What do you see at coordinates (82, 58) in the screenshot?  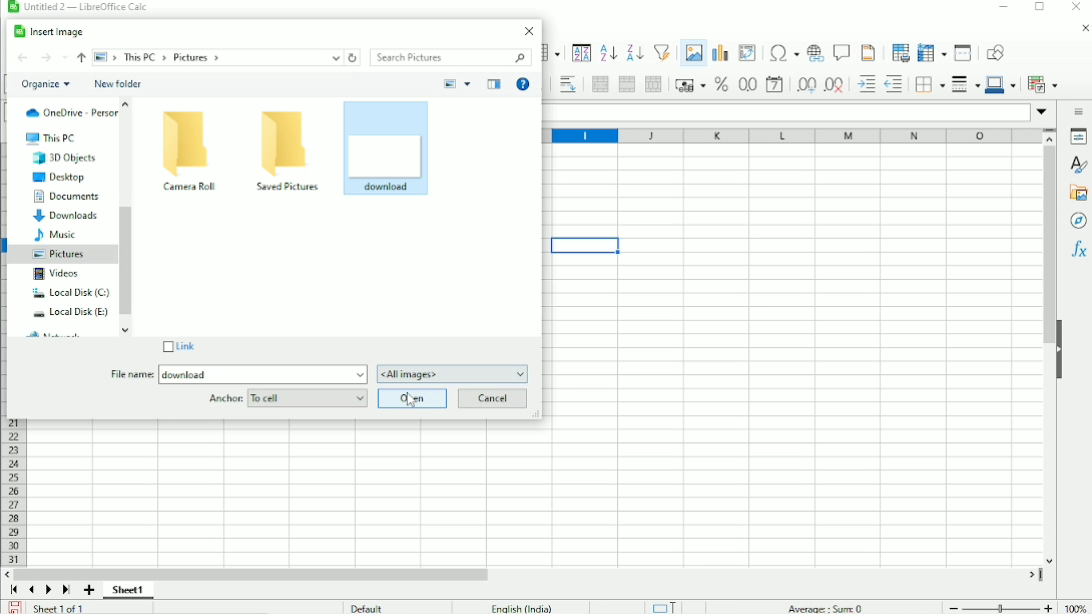 I see `Up to ''This PC''` at bounding box center [82, 58].